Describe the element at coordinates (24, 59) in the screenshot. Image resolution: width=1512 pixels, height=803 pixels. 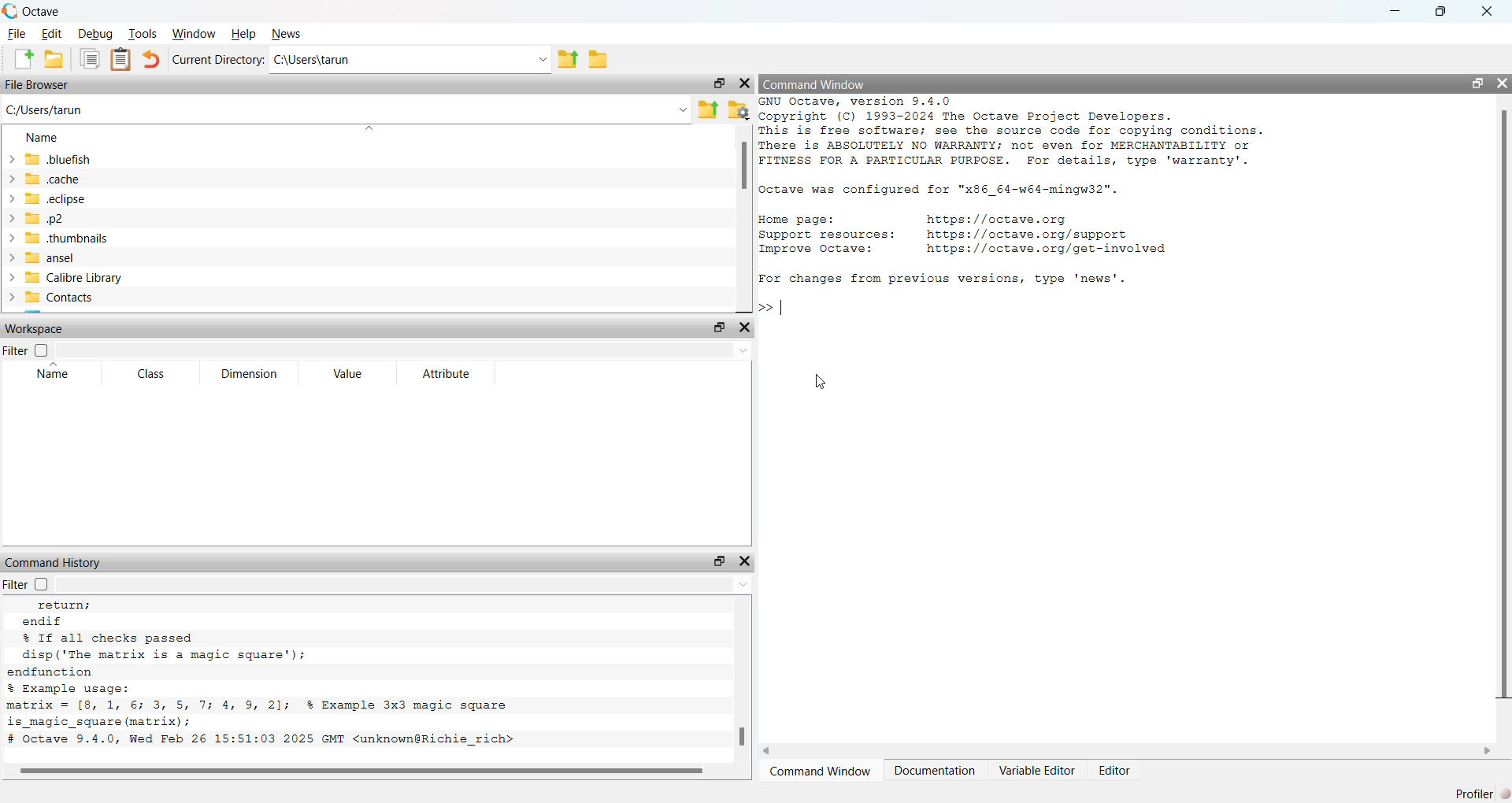
I see `New file` at that location.